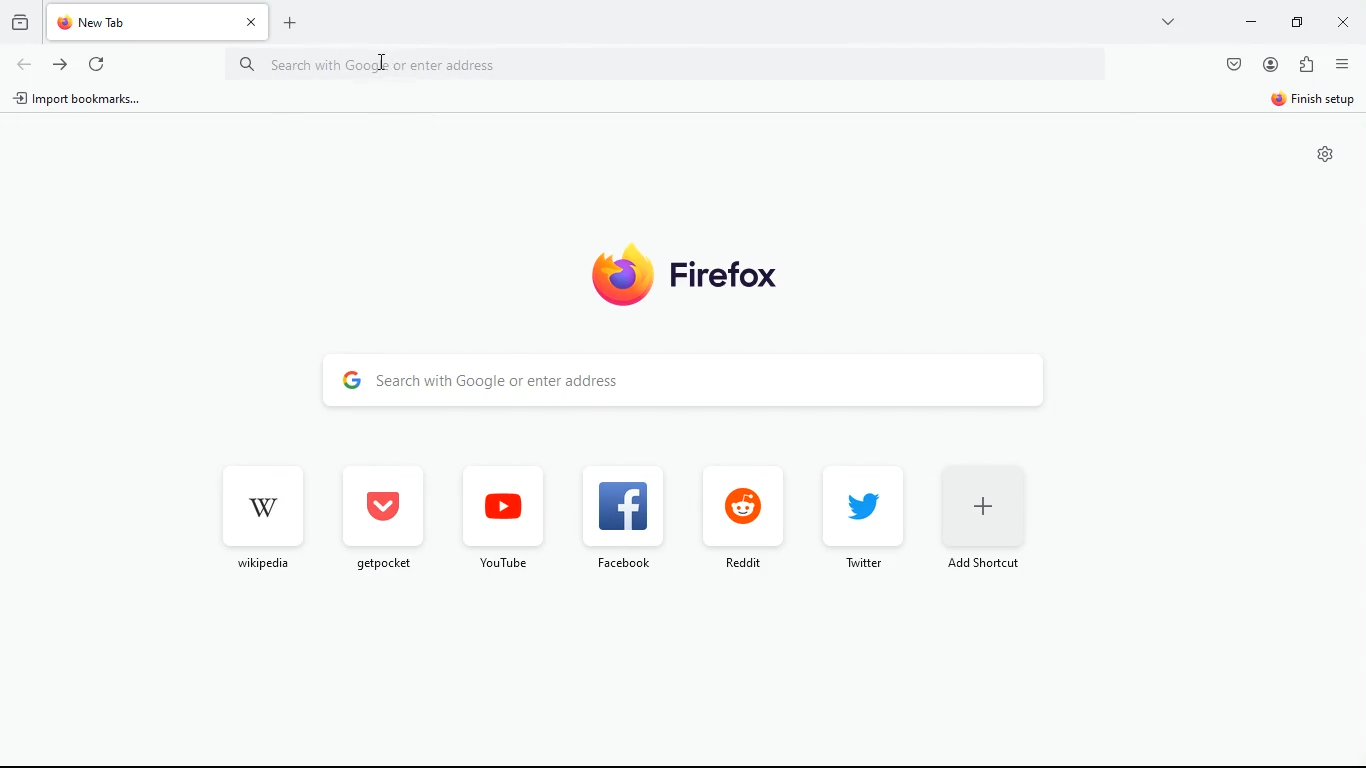  What do you see at coordinates (258, 515) in the screenshot?
I see `wikipedia` at bounding box center [258, 515].